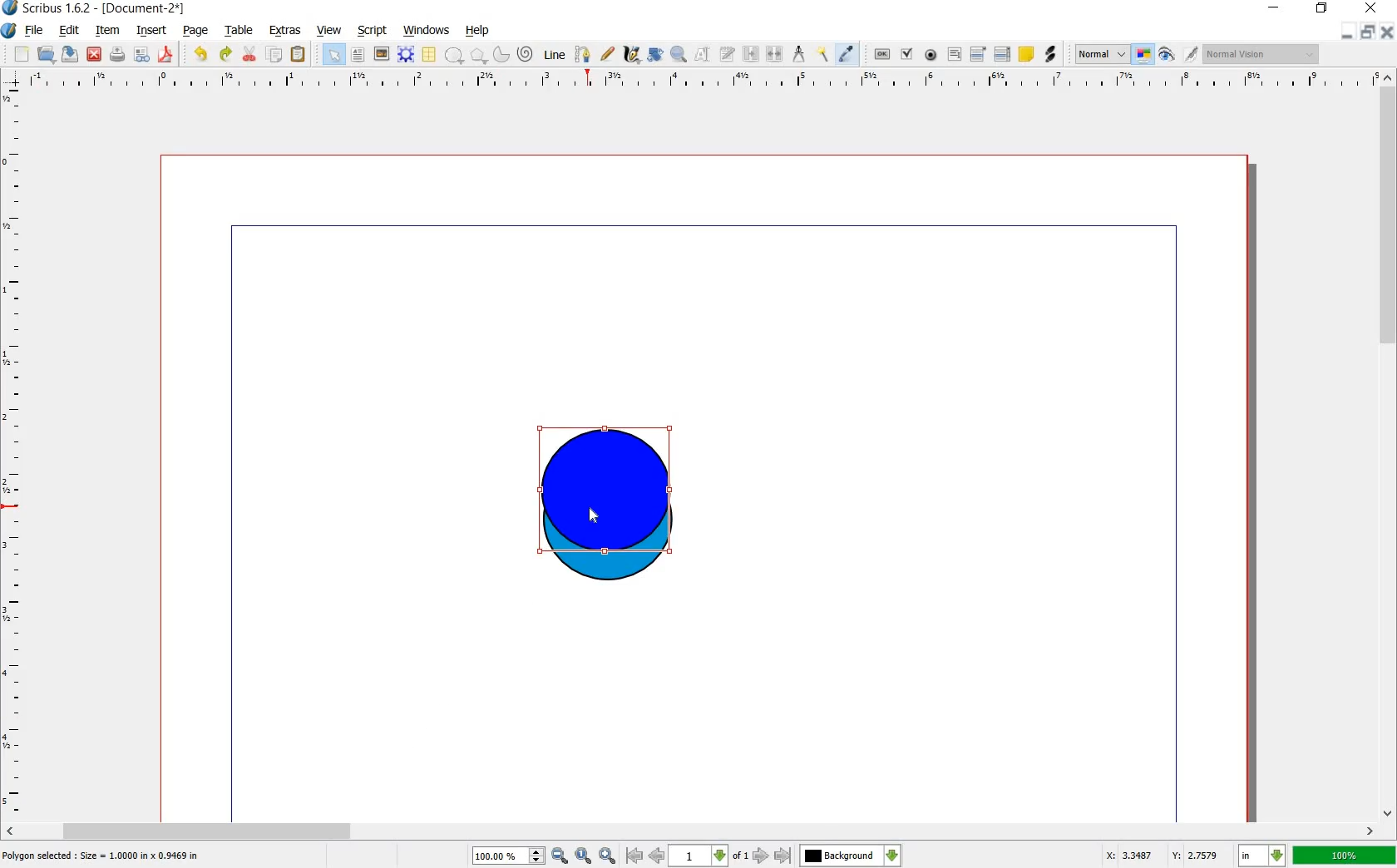 Image resolution: width=1397 pixels, height=868 pixels. I want to click on 100%, so click(499, 855).